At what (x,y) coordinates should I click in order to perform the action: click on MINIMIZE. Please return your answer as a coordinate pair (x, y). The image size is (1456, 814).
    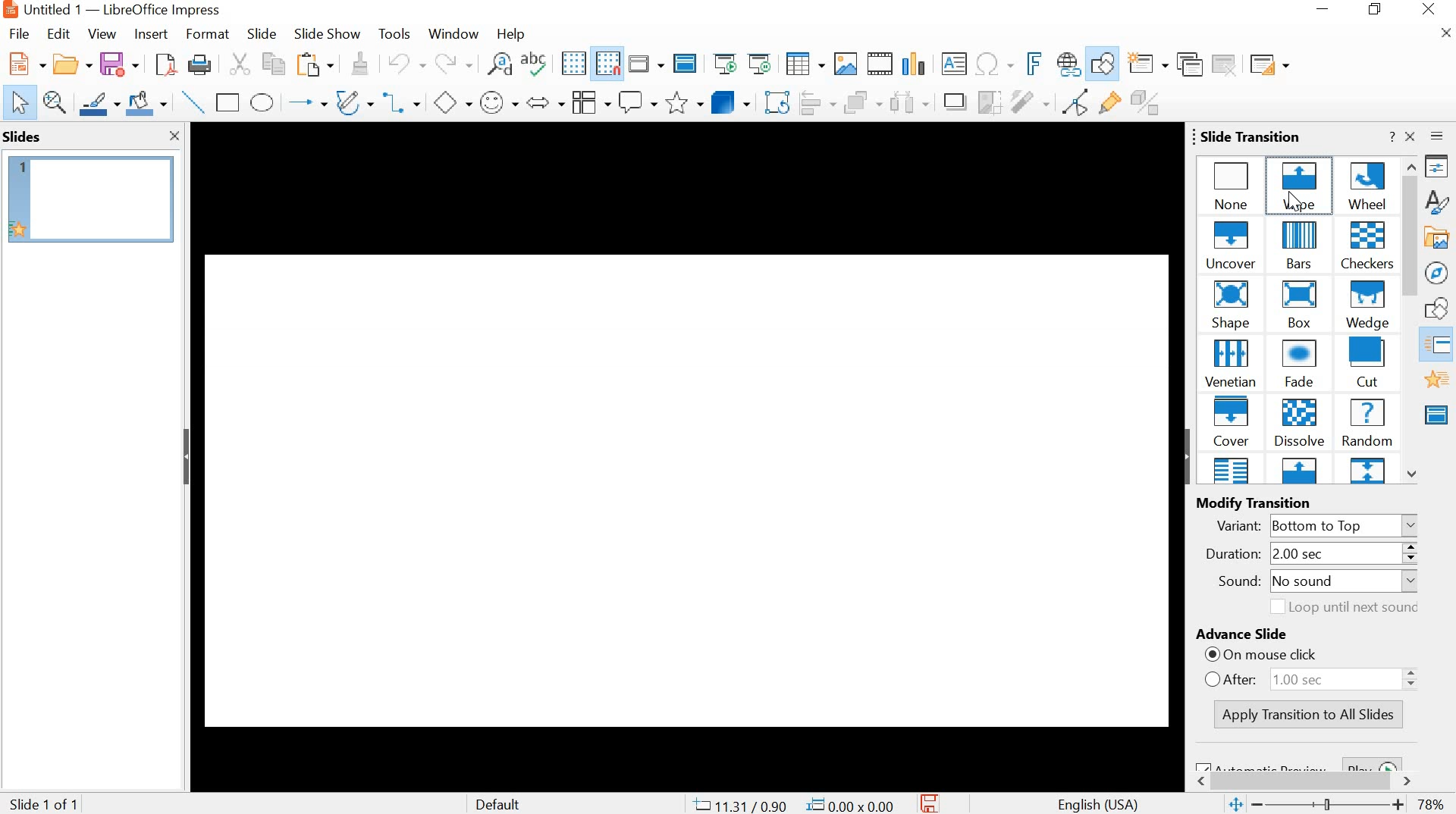
    Looking at the image, I should click on (1325, 9).